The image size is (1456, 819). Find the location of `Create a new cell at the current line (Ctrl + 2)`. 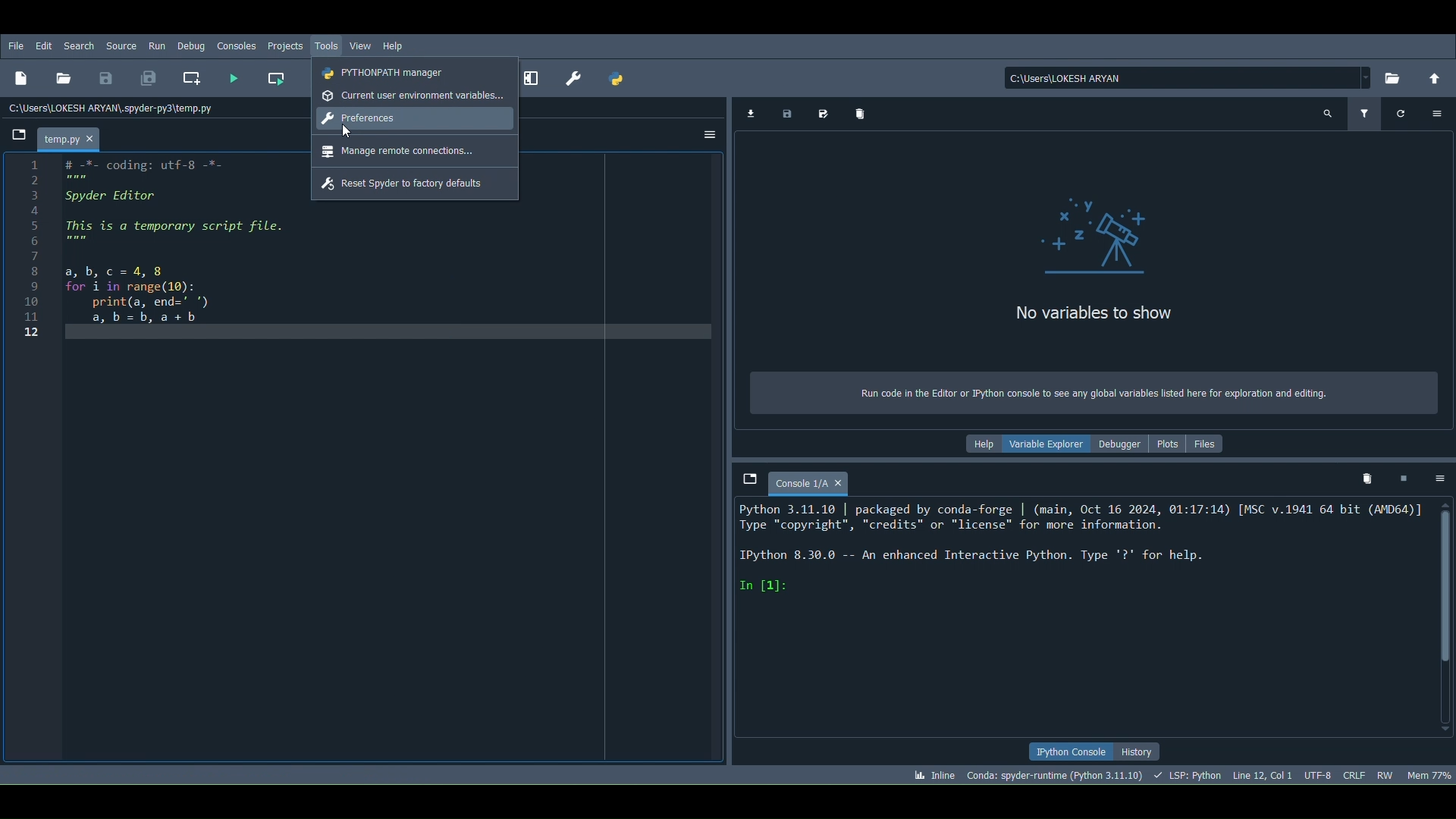

Create a new cell at the current line (Ctrl + 2) is located at coordinates (193, 78).